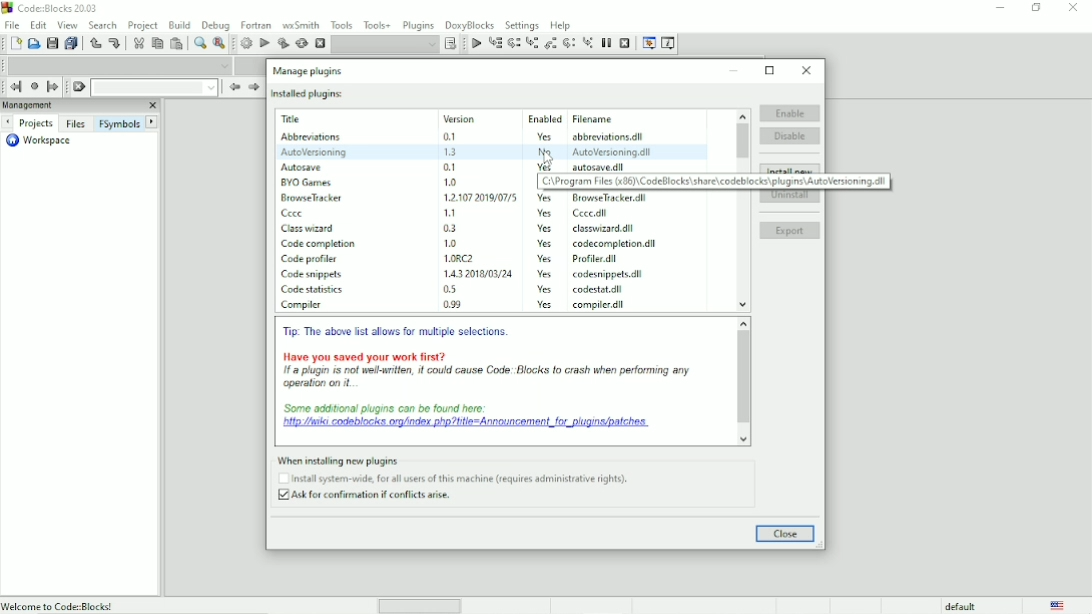  Describe the element at coordinates (603, 228) in the screenshot. I see `file` at that location.